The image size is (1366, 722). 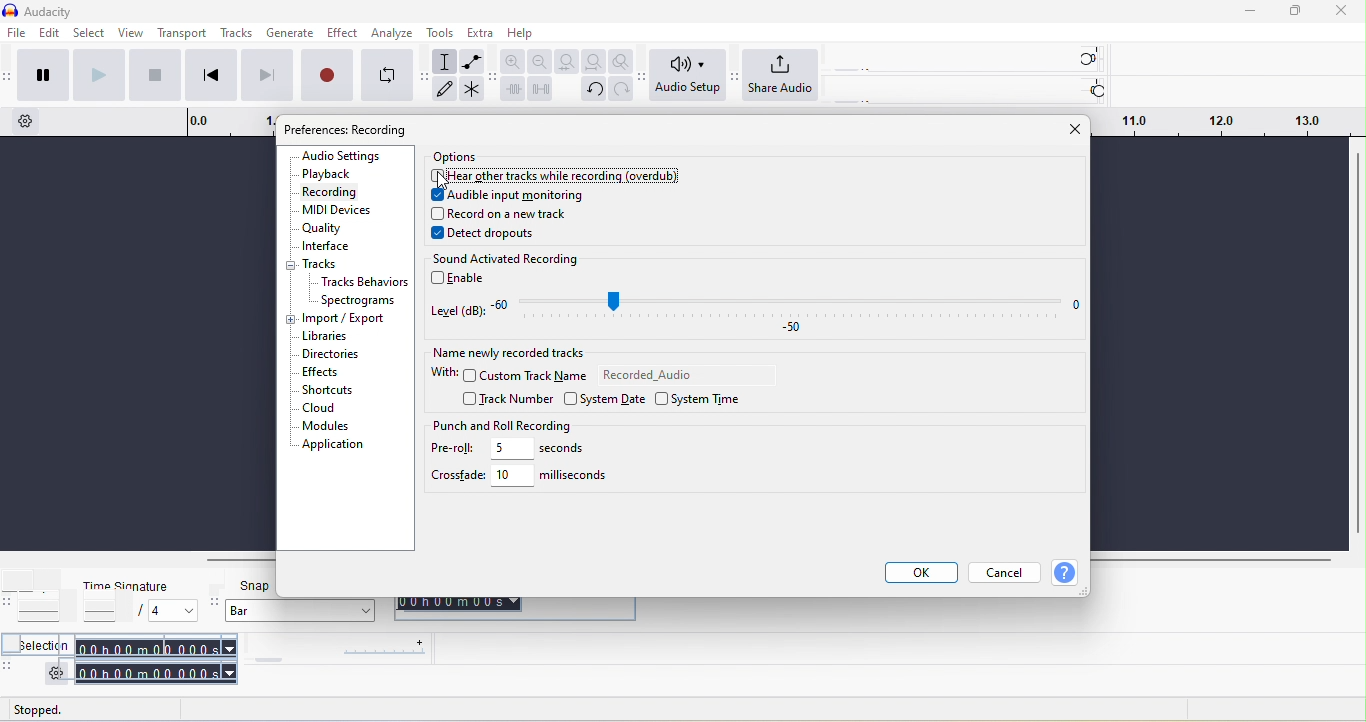 What do you see at coordinates (539, 90) in the screenshot?
I see `silence audio selection` at bounding box center [539, 90].